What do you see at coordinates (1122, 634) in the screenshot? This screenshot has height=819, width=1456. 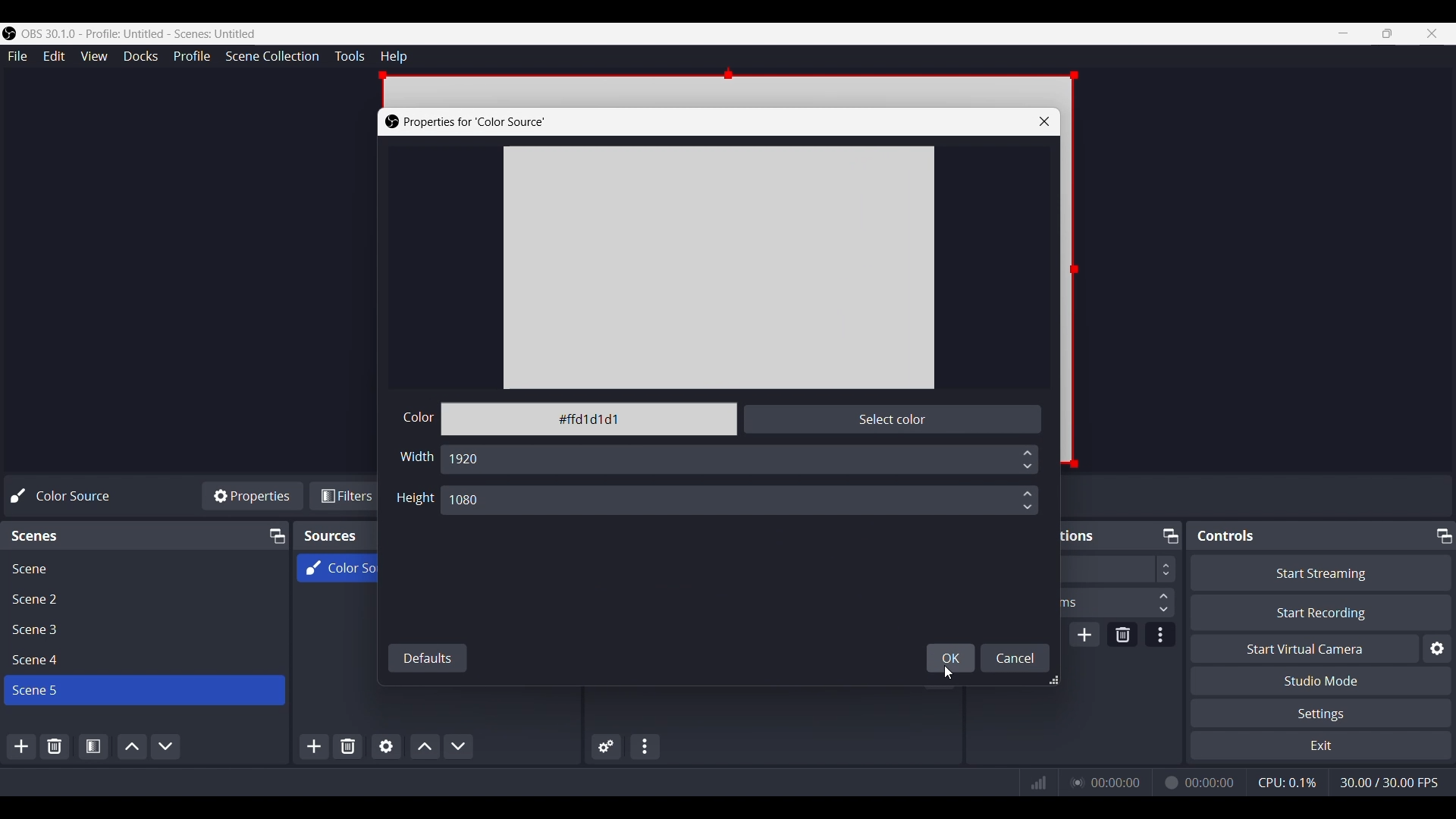 I see `Remove Configurable transition` at bounding box center [1122, 634].